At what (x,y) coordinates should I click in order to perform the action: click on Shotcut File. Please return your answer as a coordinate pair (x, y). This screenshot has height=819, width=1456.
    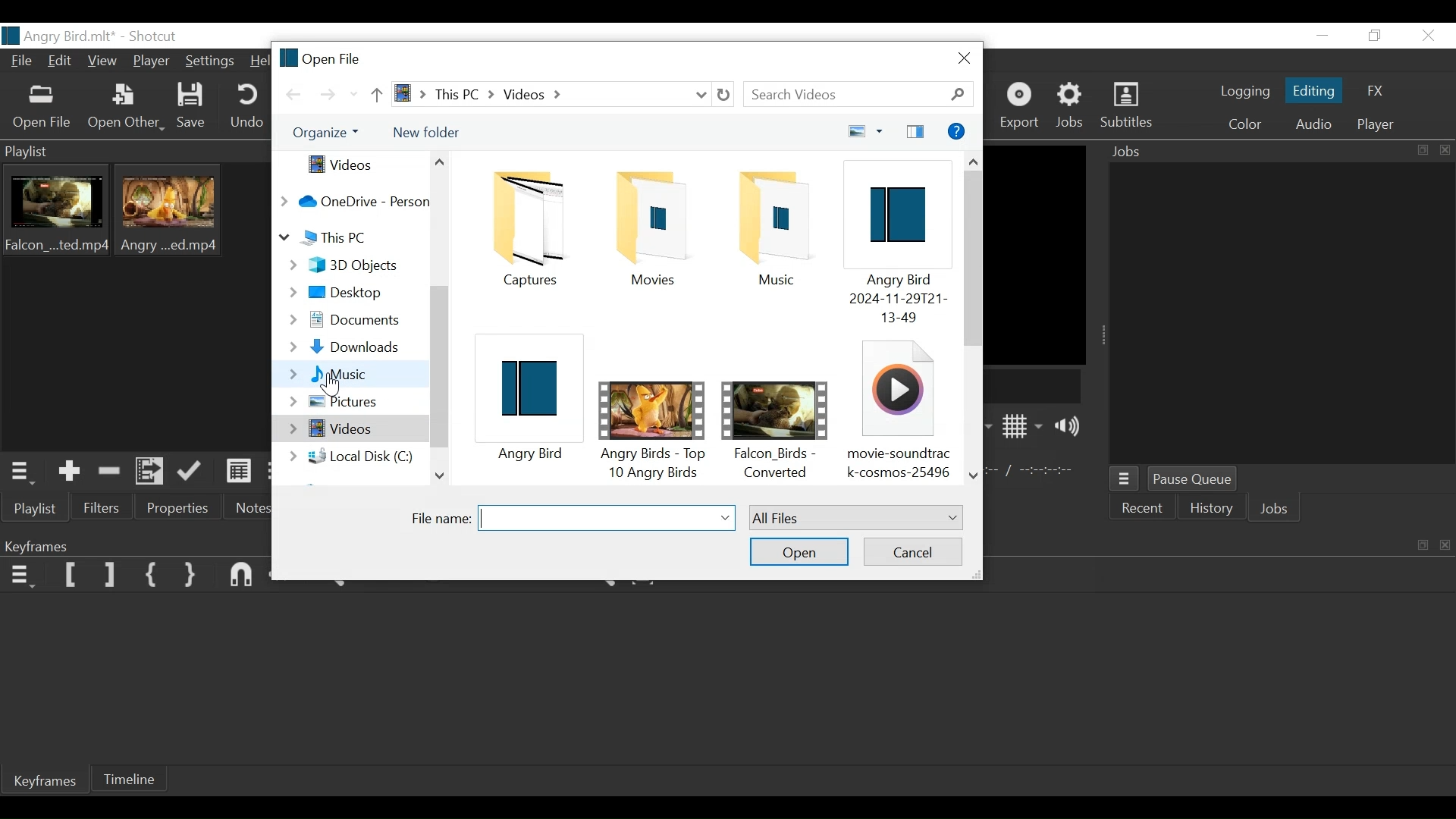
    Looking at the image, I should click on (524, 406).